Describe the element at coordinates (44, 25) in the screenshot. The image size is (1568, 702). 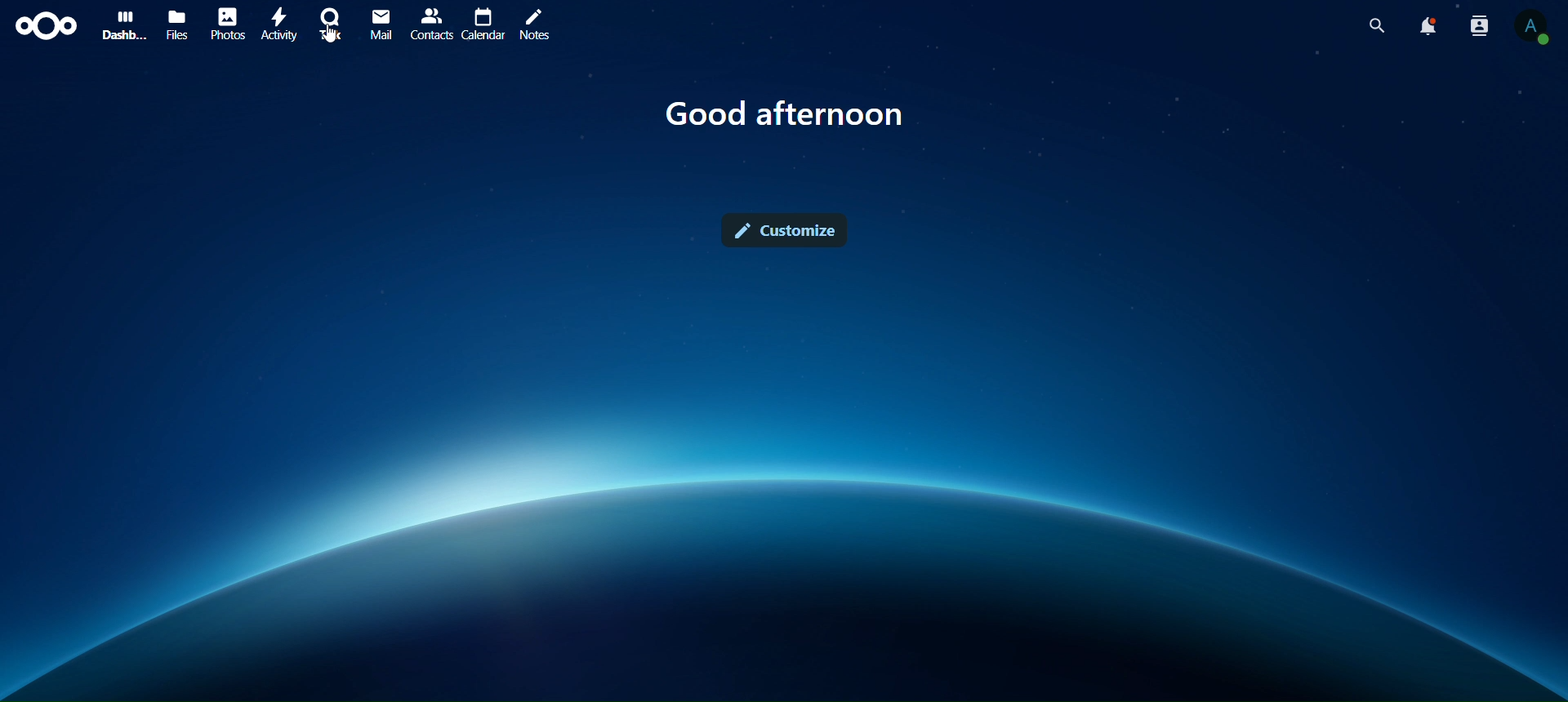
I see `icon` at that location.